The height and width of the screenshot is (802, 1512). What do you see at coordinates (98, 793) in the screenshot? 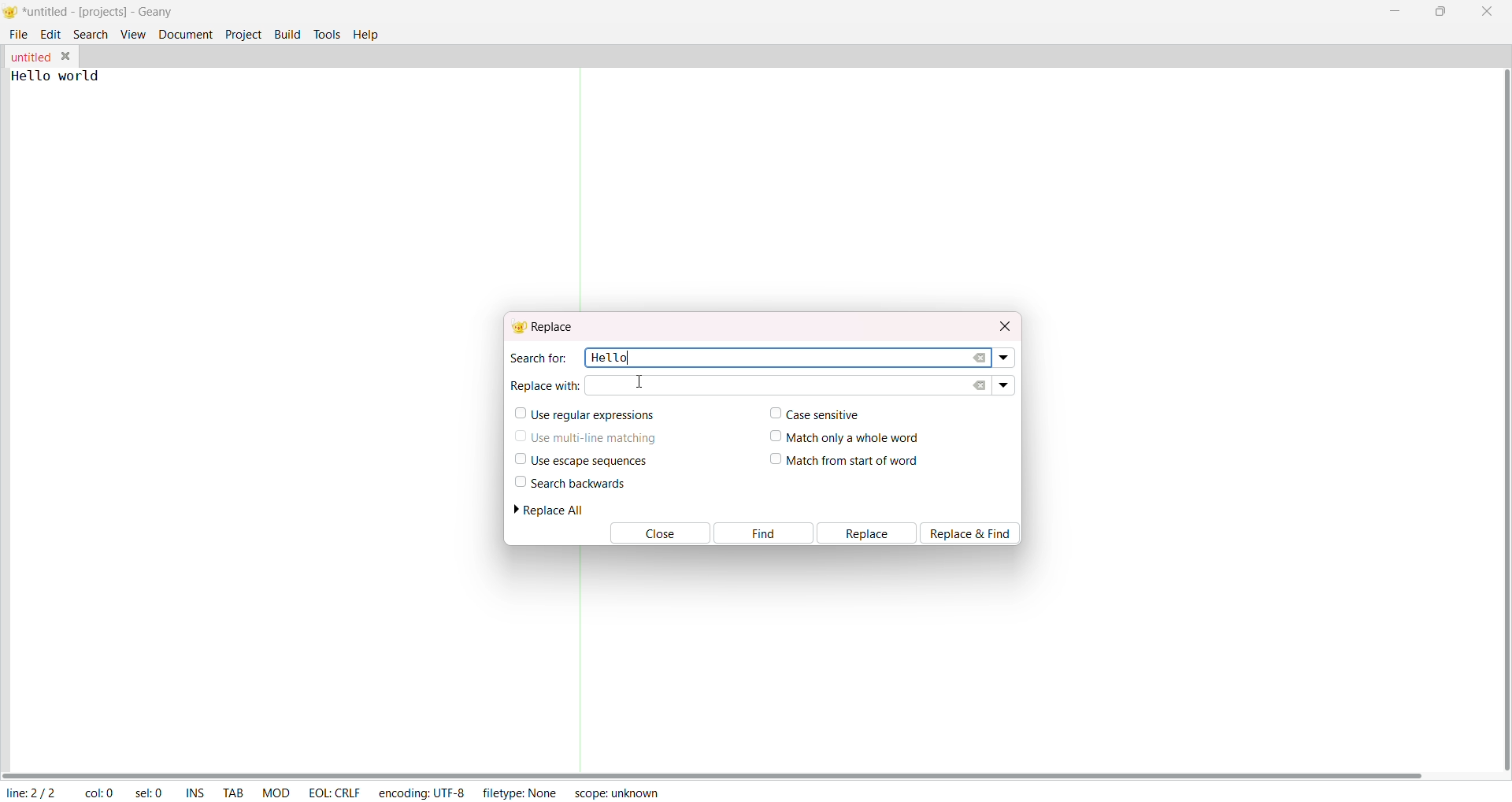
I see `col: 0` at bounding box center [98, 793].